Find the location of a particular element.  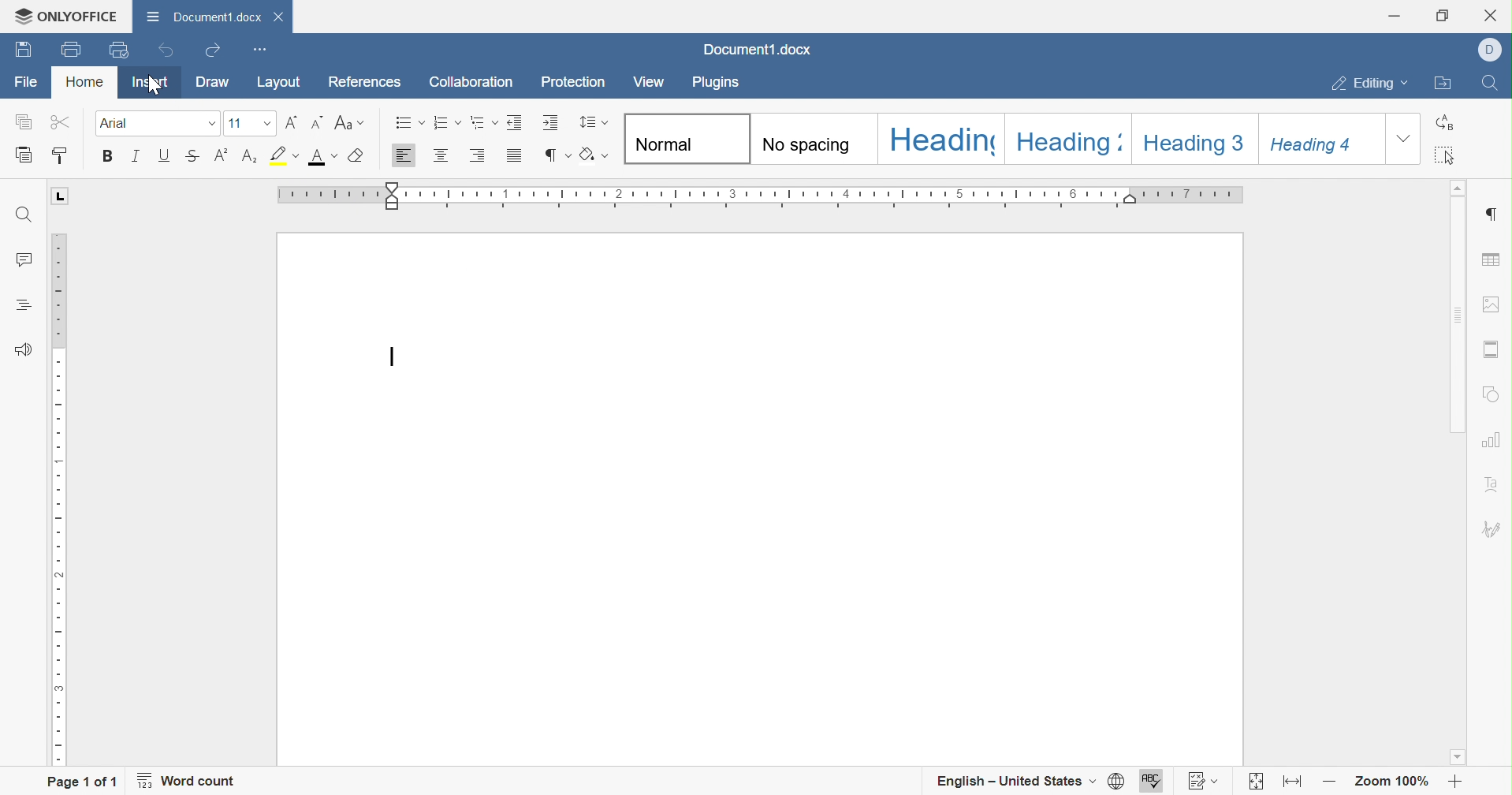

Draw is located at coordinates (212, 84).